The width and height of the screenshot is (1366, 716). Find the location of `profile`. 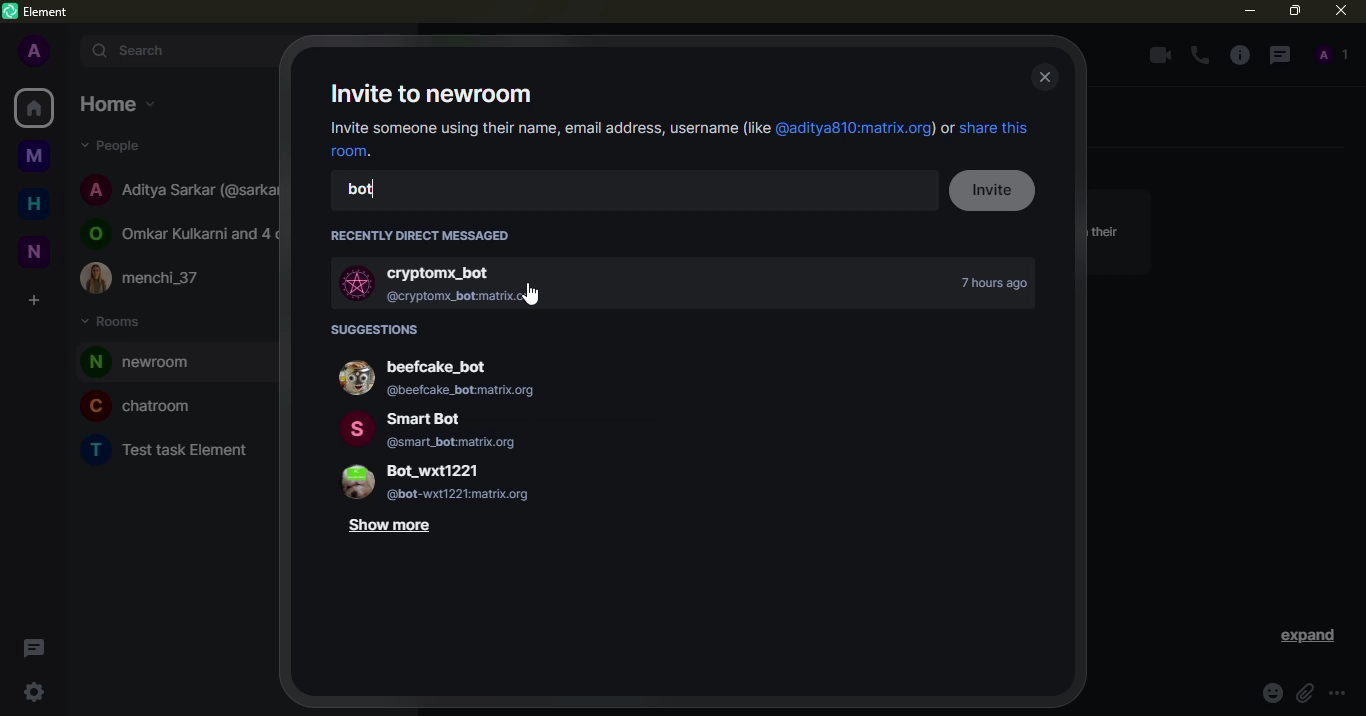

profile is located at coordinates (37, 53).